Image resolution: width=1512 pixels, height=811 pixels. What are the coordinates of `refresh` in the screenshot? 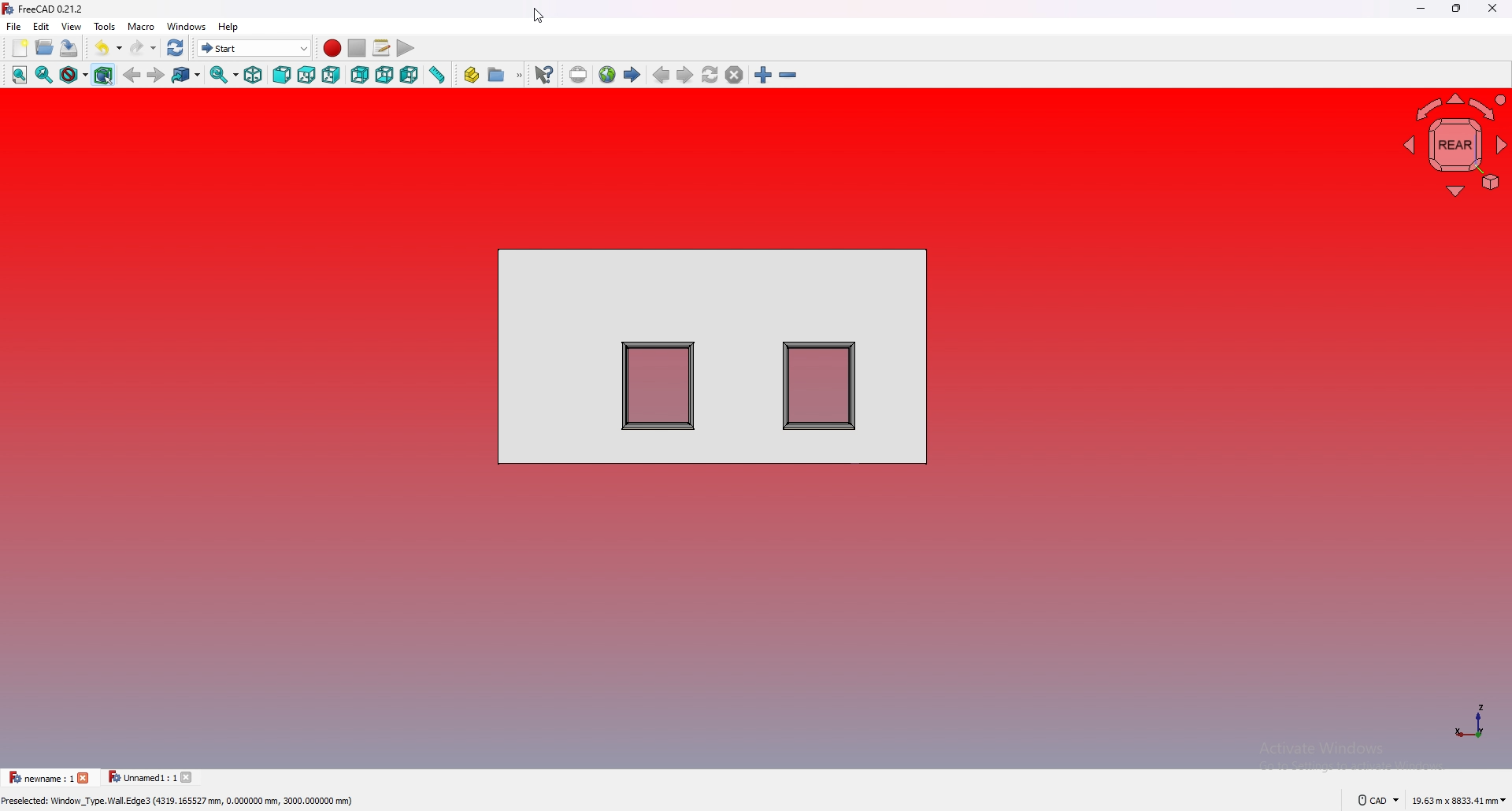 It's located at (175, 48).